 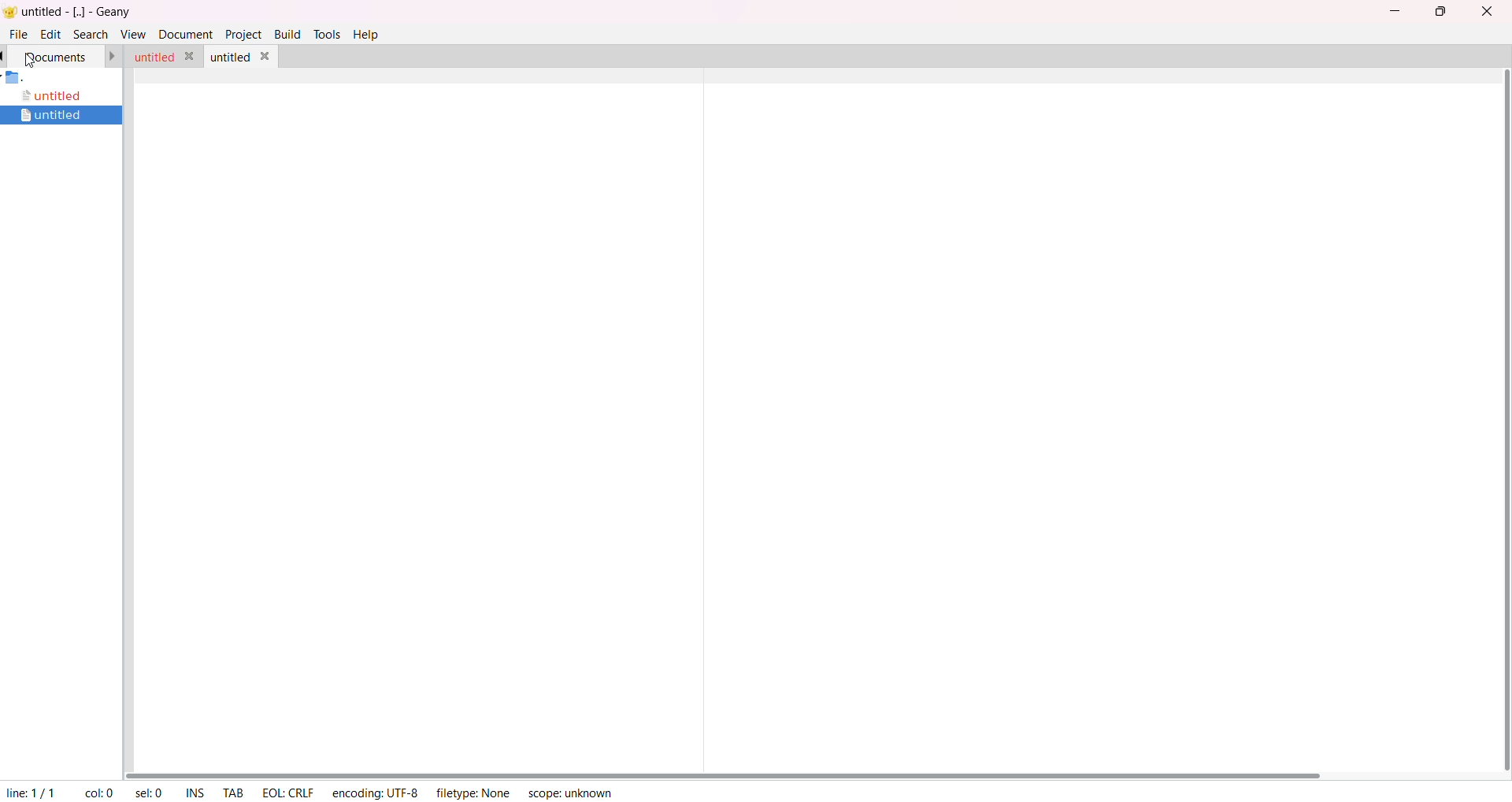 I want to click on search, so click(x=89, y=33).